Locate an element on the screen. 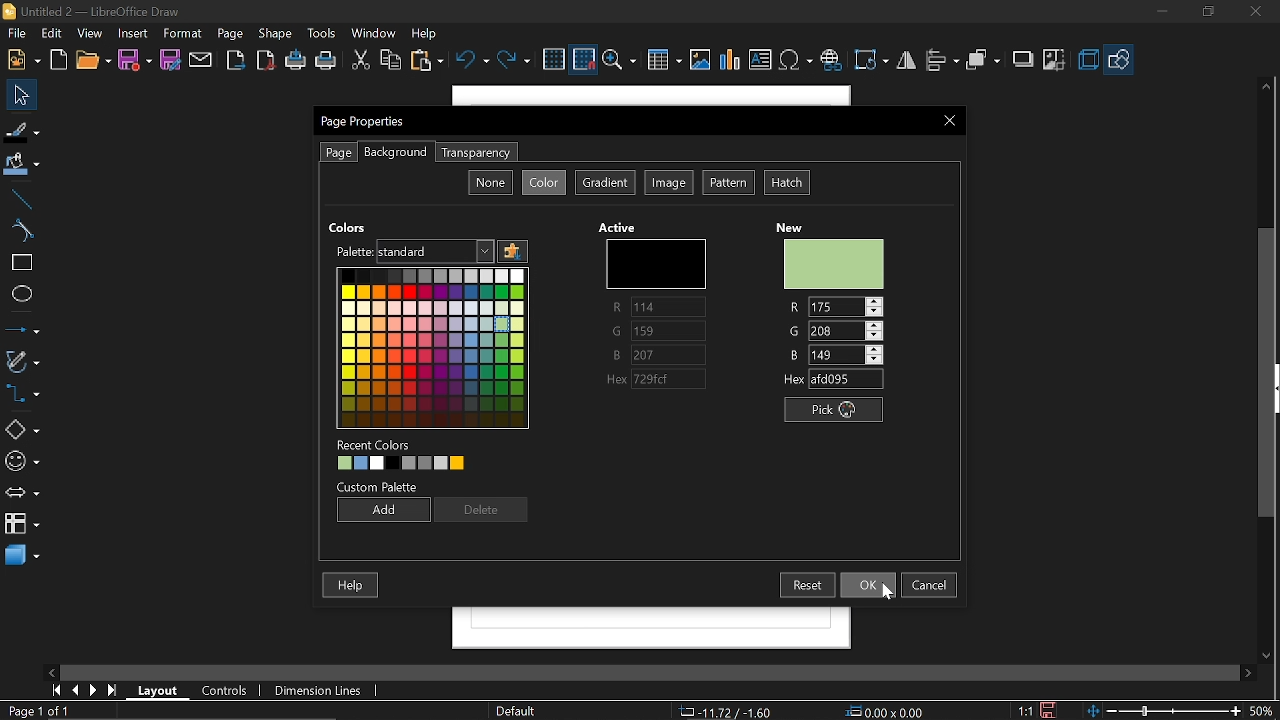 The image size is (1280, 720). Ellipse is located at coordinates (20, 297).